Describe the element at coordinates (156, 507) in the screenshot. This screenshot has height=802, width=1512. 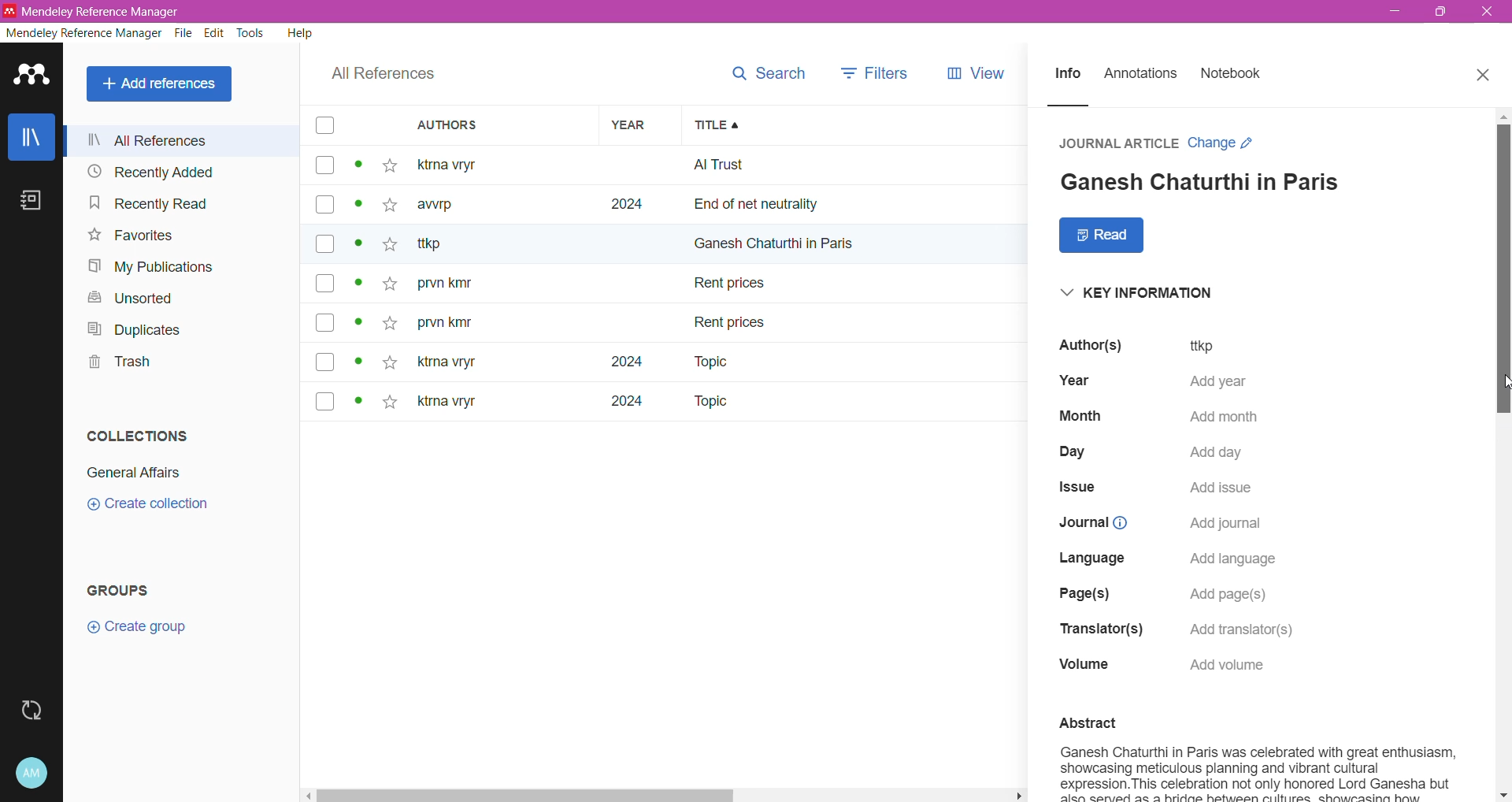
I see `Click to Create Collection` at that location.